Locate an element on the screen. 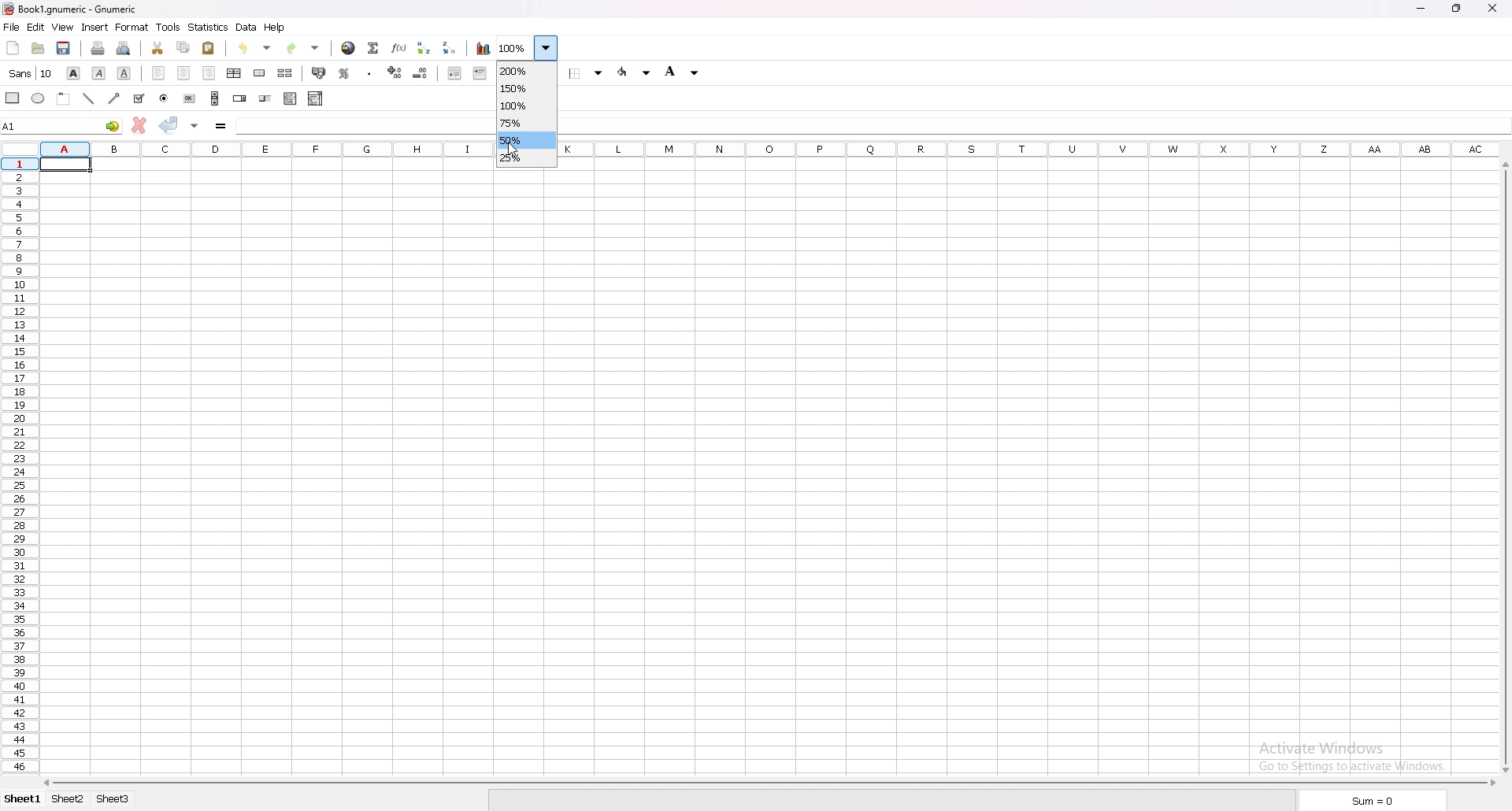 The image size is (1512, 811). save is located at coordinates (64, 47).